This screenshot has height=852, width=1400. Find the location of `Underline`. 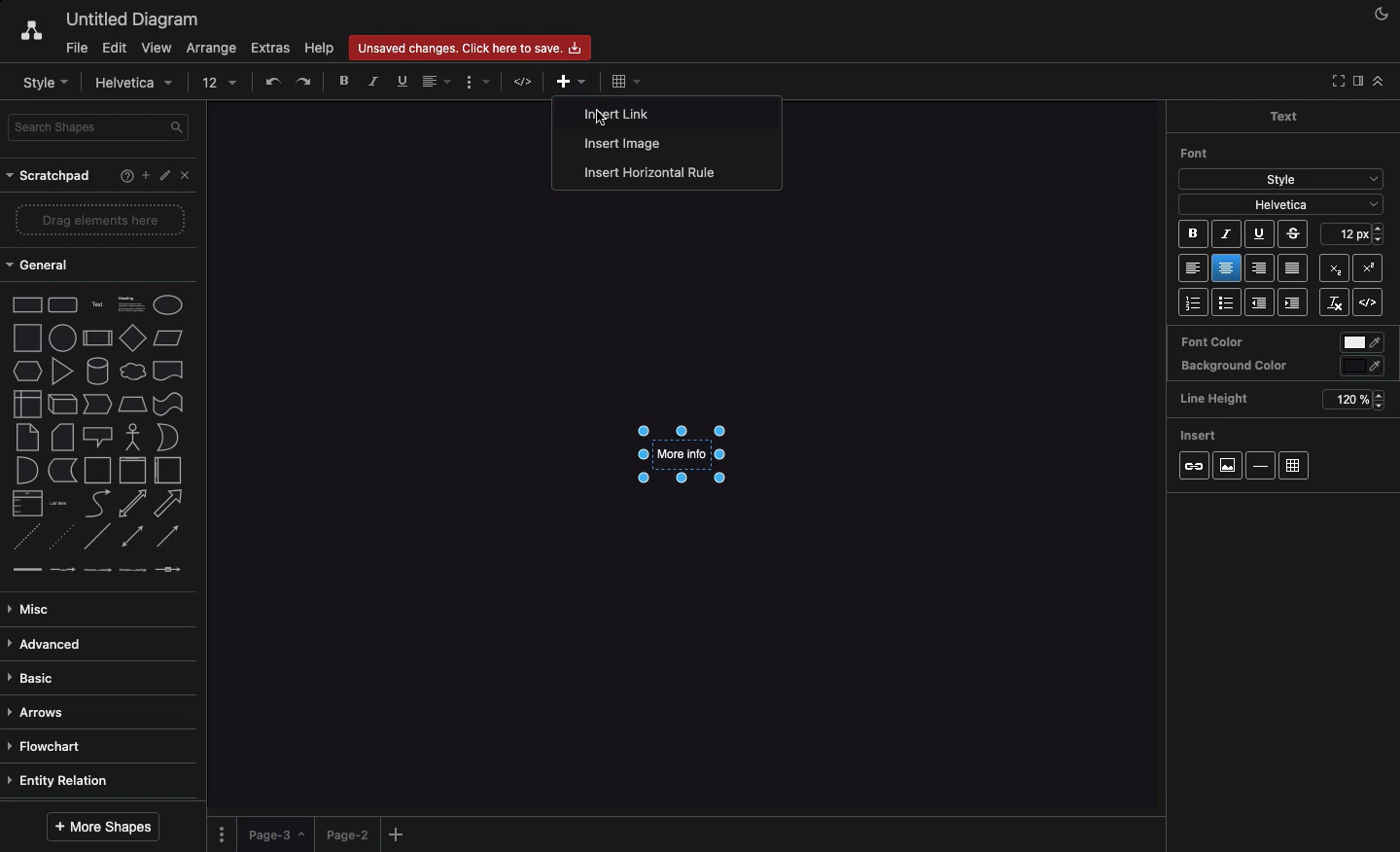

Underline is located at coordinates (1258, 235).